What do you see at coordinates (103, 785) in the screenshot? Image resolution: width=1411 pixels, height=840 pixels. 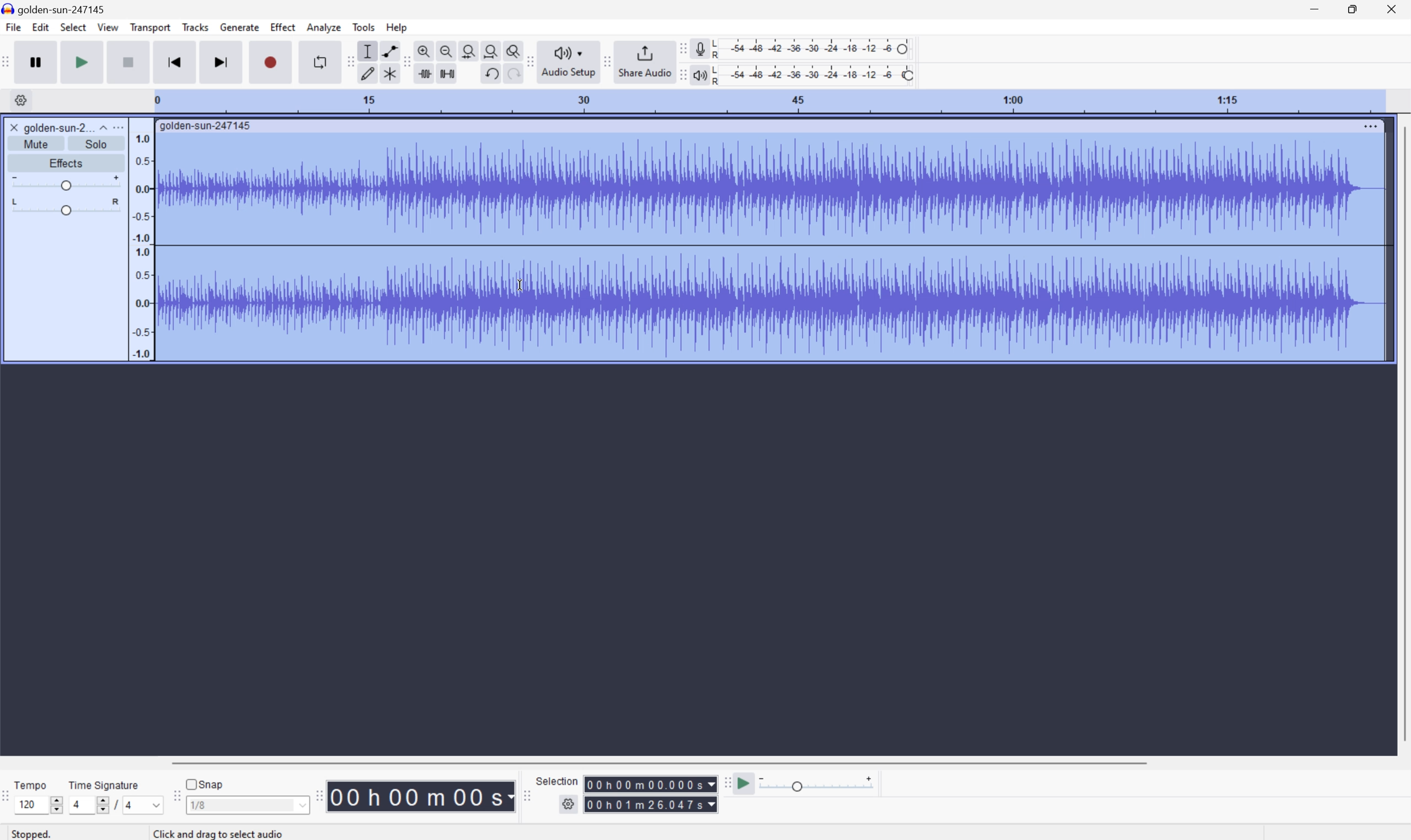 I see `Time signature` at bounding box center [103, 785].